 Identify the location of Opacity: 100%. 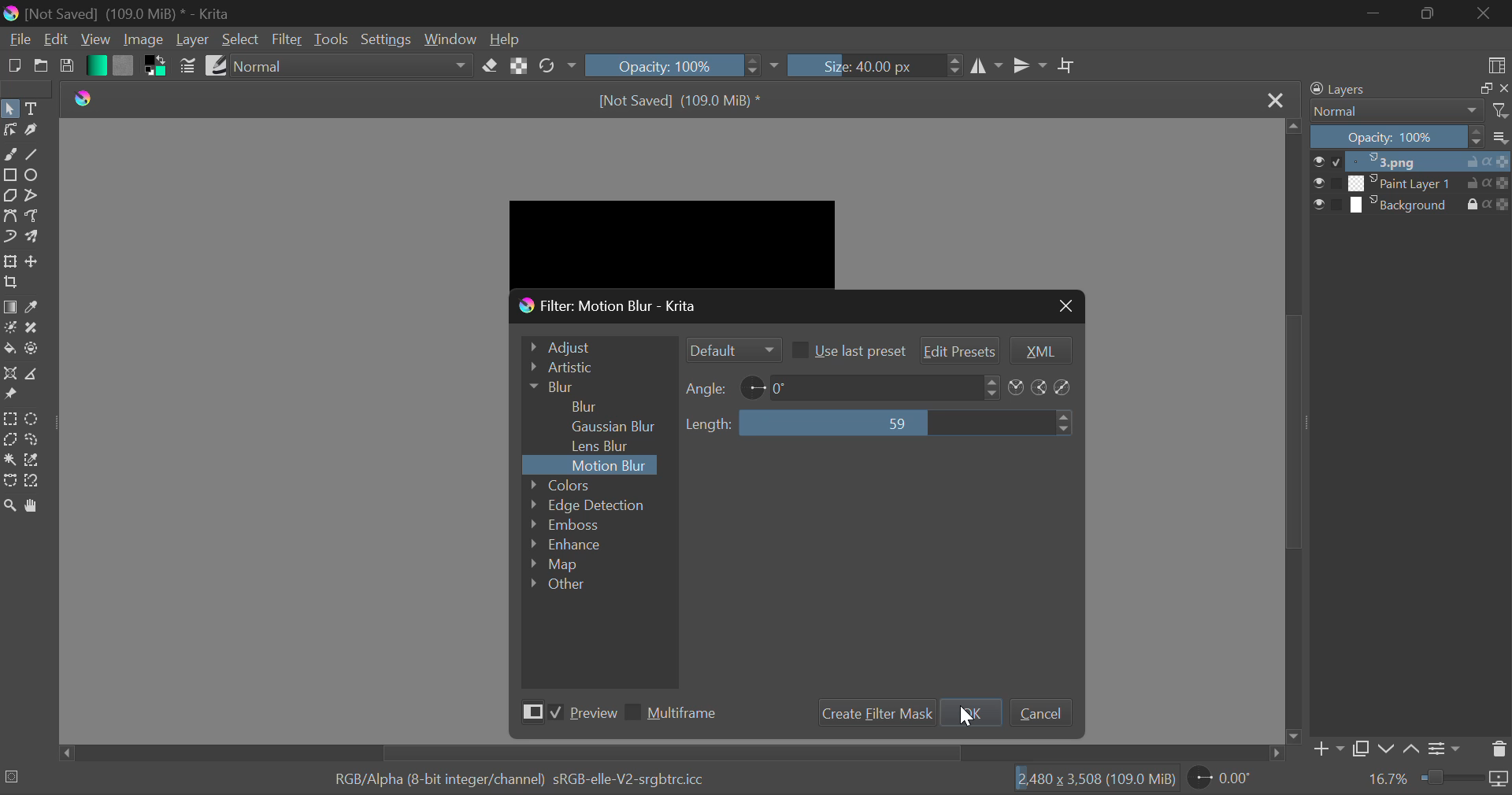
(661, 65).